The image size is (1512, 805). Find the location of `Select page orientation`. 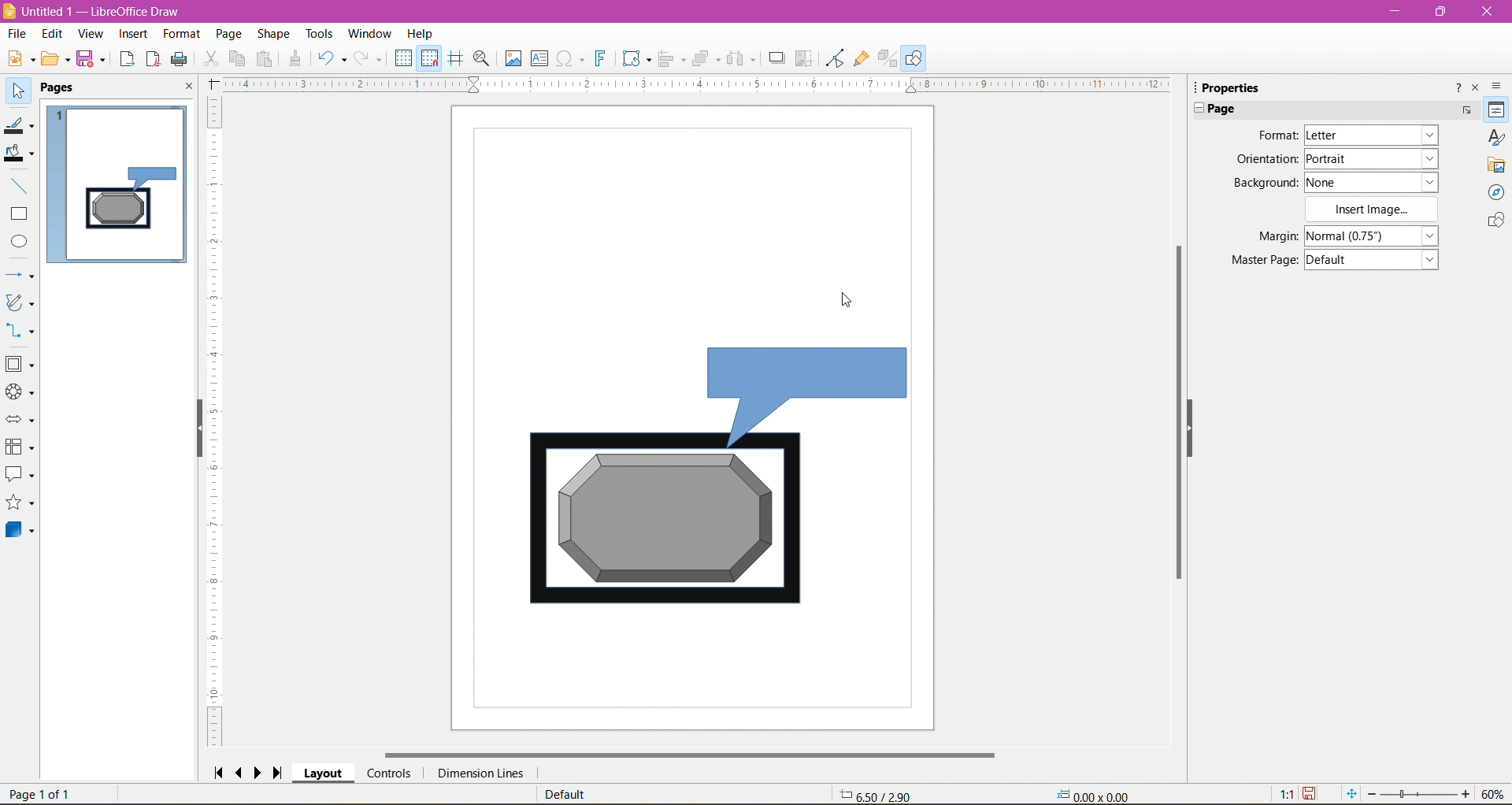

Select page orientation is located at coordinates (1374, 158).